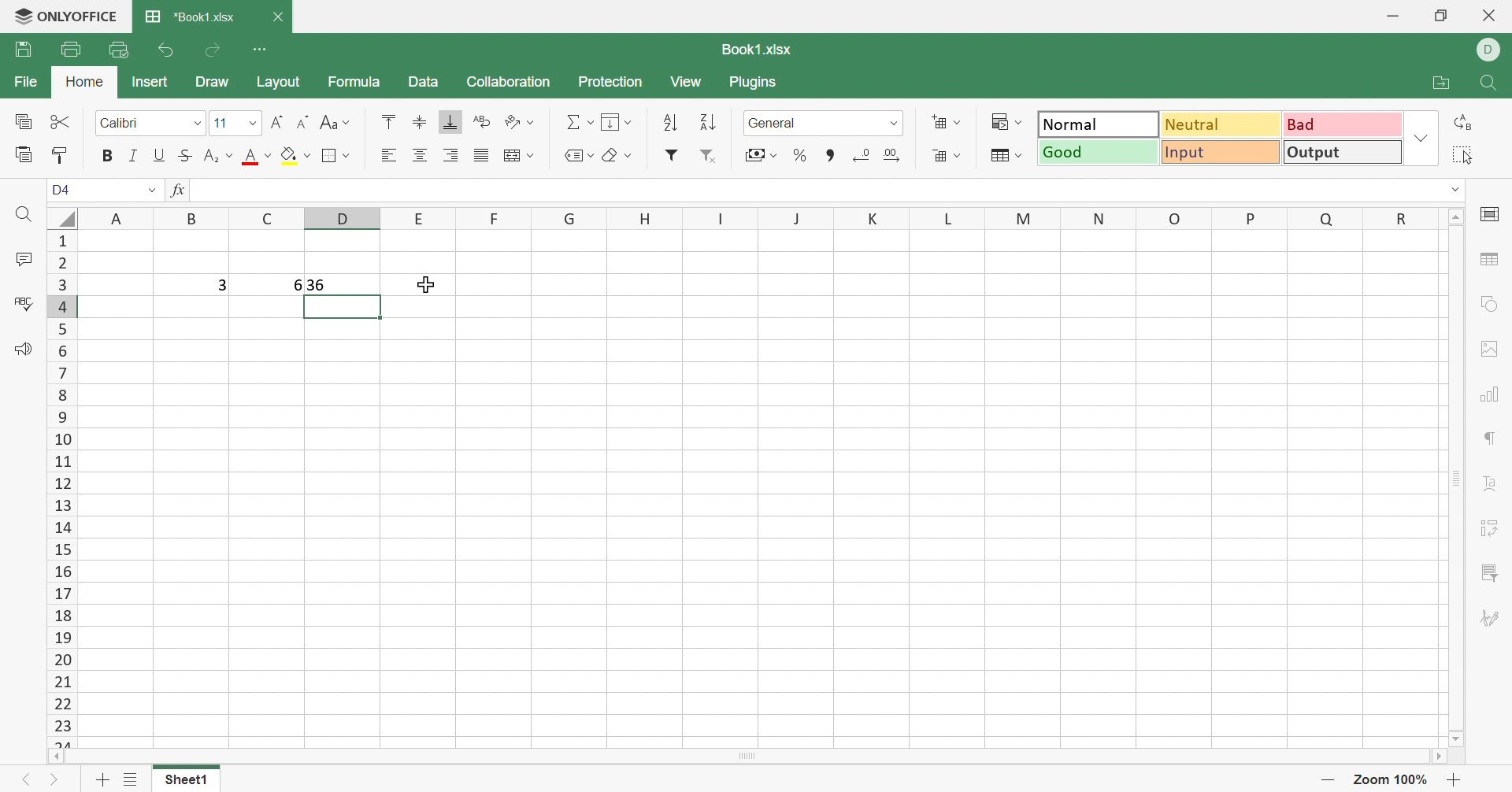 This screenshot has width=1512, height=792. What do you see at coordinates (27, 780) in the screenshot?
I see `Previous` at bounding box center [27, 780].